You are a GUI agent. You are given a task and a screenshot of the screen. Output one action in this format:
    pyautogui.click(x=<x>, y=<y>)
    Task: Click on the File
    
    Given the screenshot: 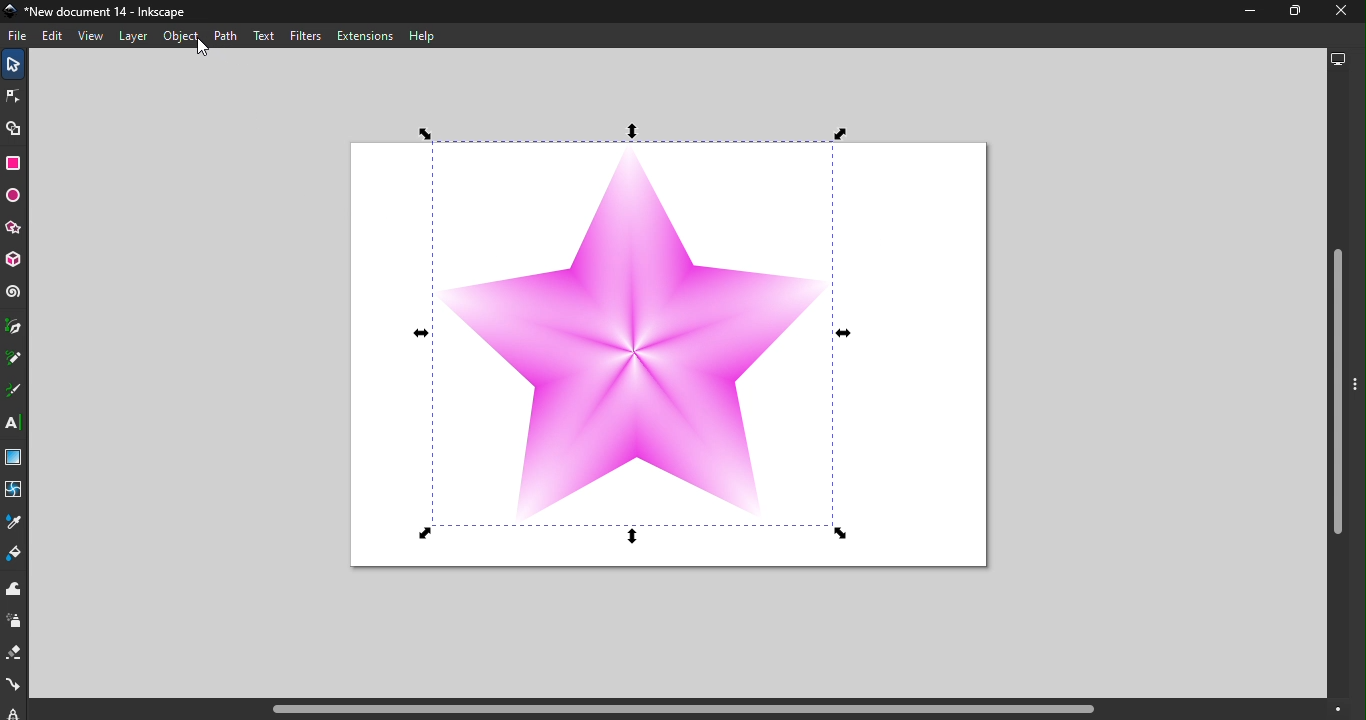 What is the action you would take?
    pyautogui.click(x=20, y=38)
    